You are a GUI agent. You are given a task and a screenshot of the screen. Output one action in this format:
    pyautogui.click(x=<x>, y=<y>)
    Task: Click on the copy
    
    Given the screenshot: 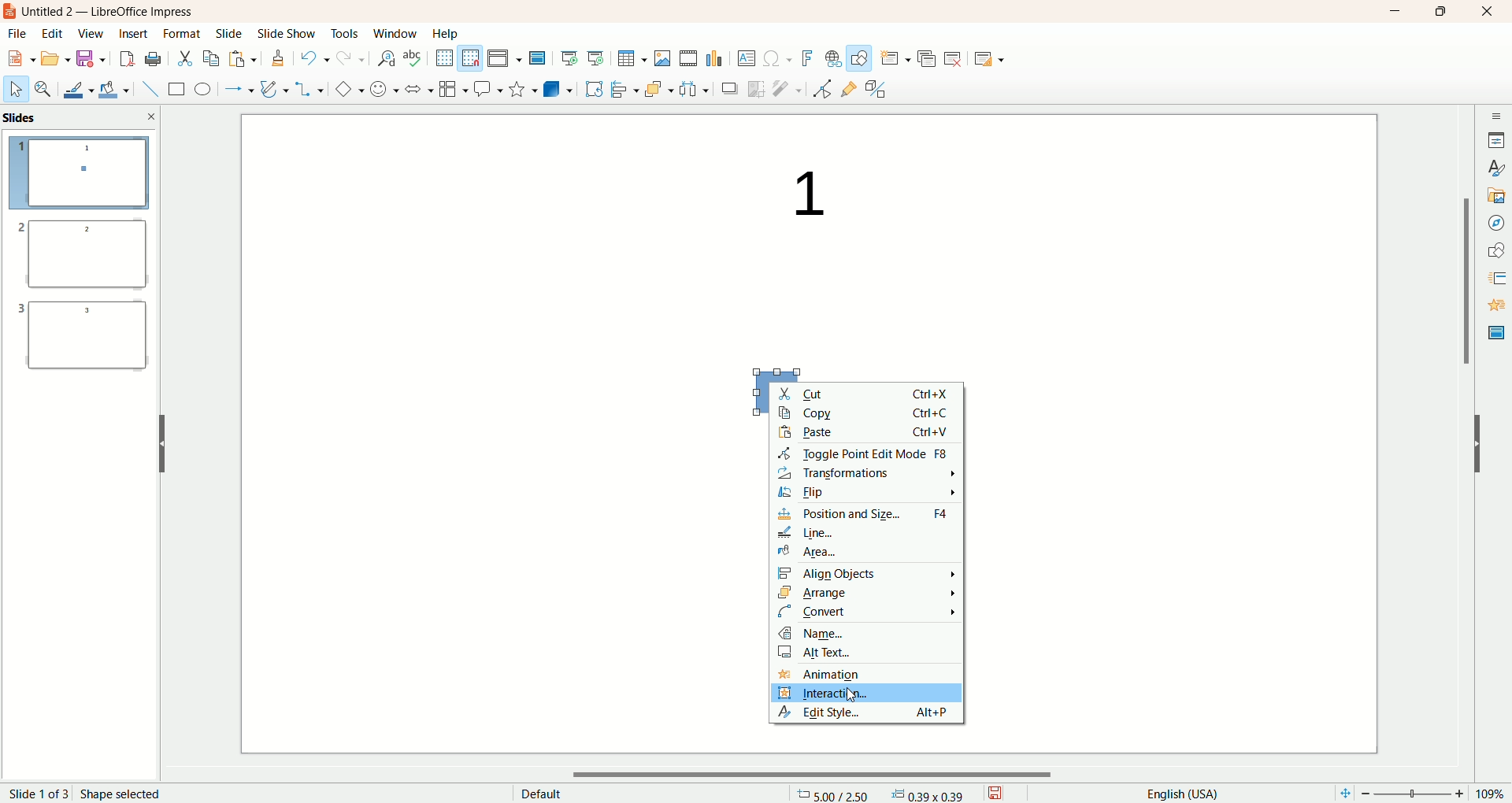 What is the action you would take?
    pyautogui.click(x=818, y=416)
    